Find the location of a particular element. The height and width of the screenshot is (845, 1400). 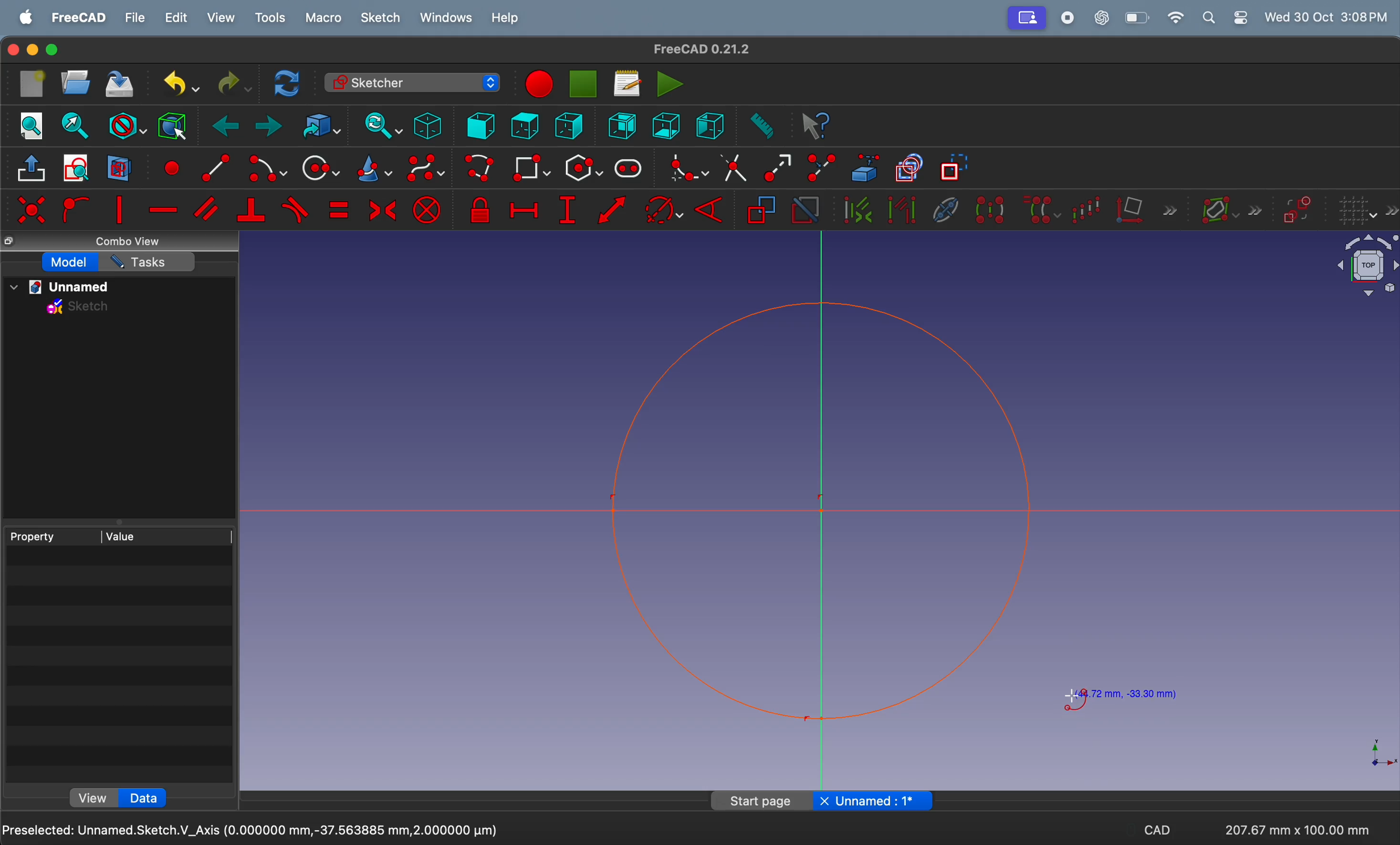

forward  is located at coordinates (269, 128).